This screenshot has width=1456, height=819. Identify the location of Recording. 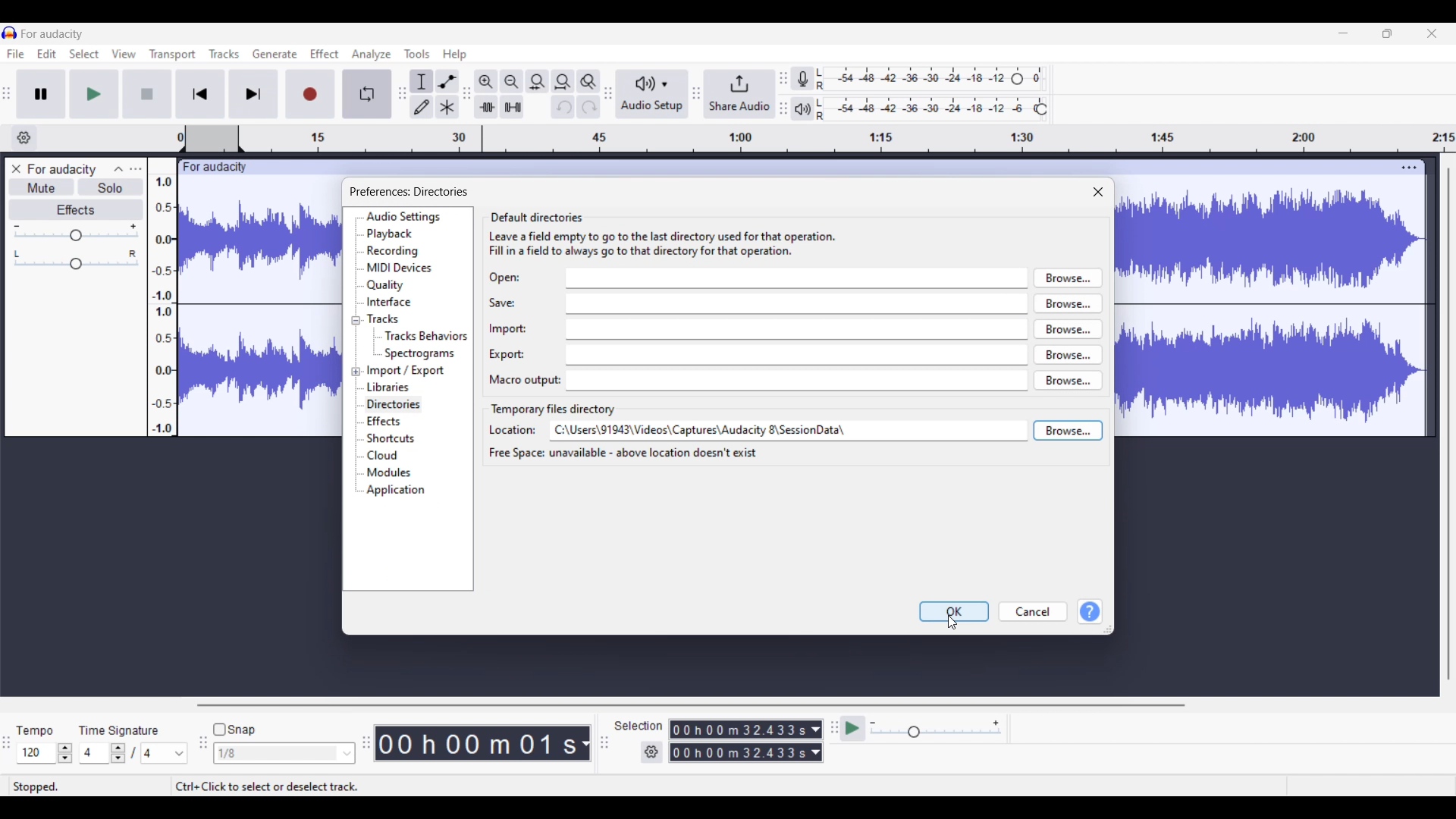
(392, 251).